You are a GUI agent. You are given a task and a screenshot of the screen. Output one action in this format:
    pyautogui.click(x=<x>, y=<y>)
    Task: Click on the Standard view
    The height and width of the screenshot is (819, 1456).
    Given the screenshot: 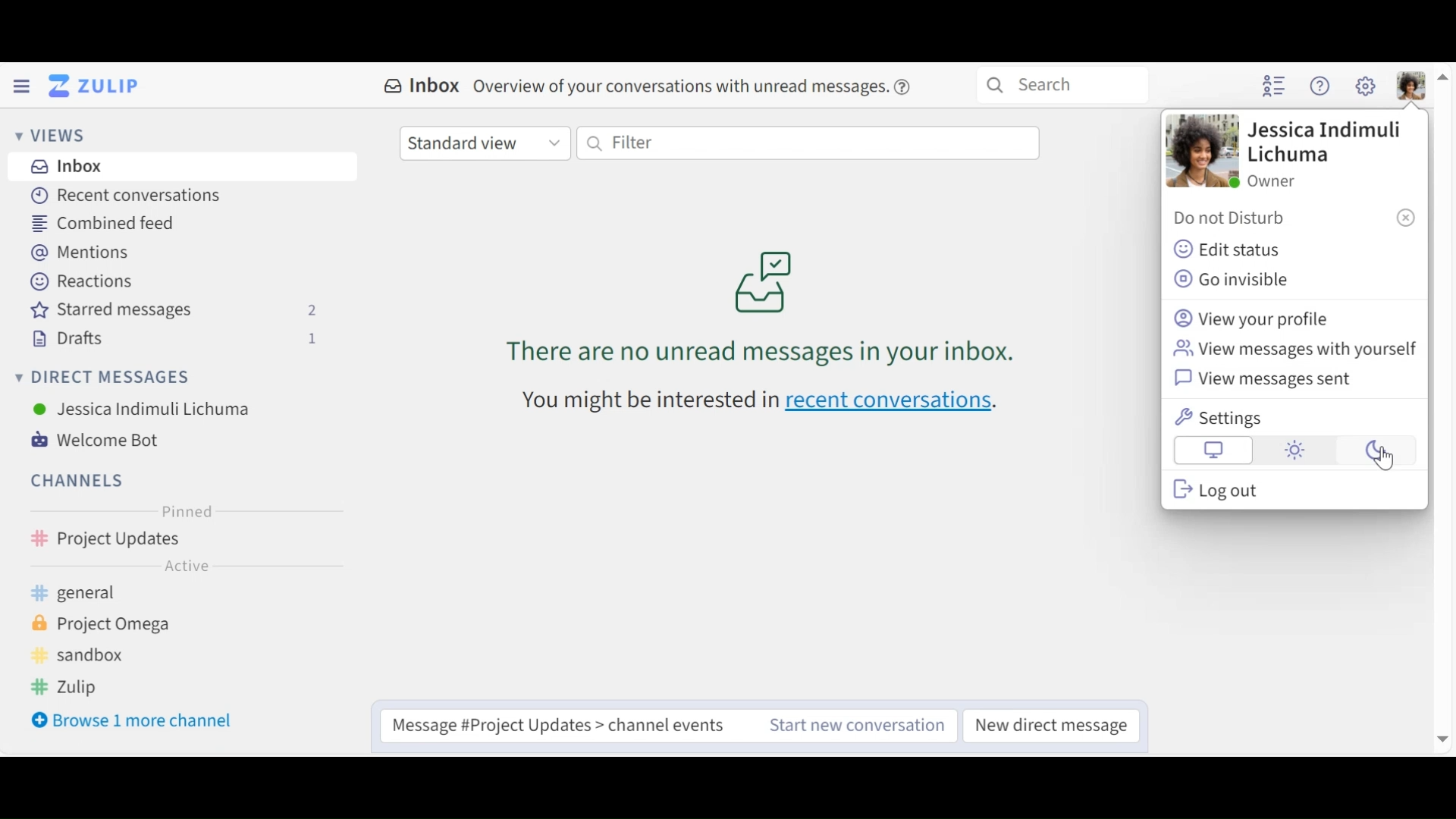 What is the action you would take?
    pyautogui.click(x=485, y=144)
    